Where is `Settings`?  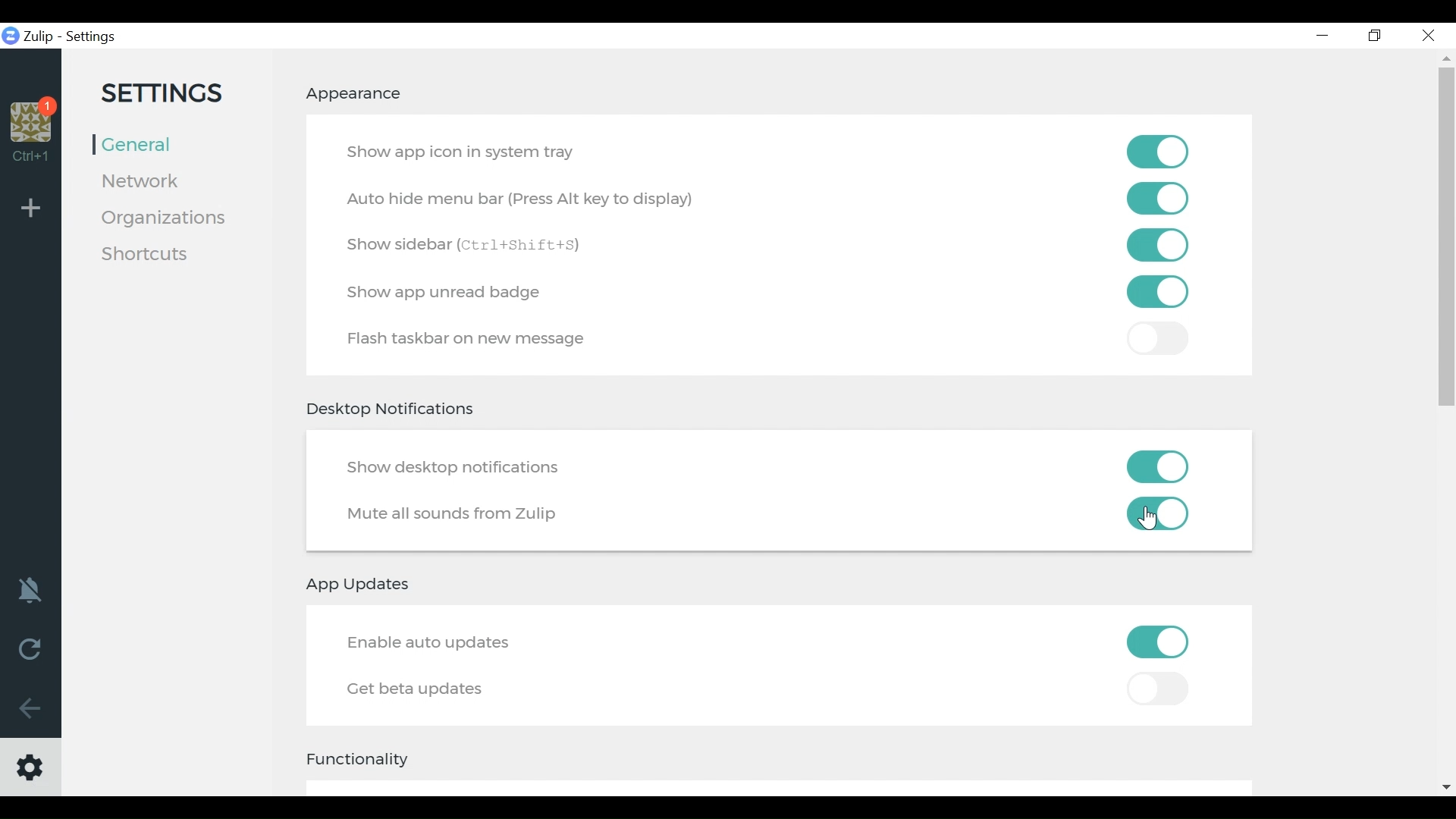 Settings is located at coordinates (93, 37).